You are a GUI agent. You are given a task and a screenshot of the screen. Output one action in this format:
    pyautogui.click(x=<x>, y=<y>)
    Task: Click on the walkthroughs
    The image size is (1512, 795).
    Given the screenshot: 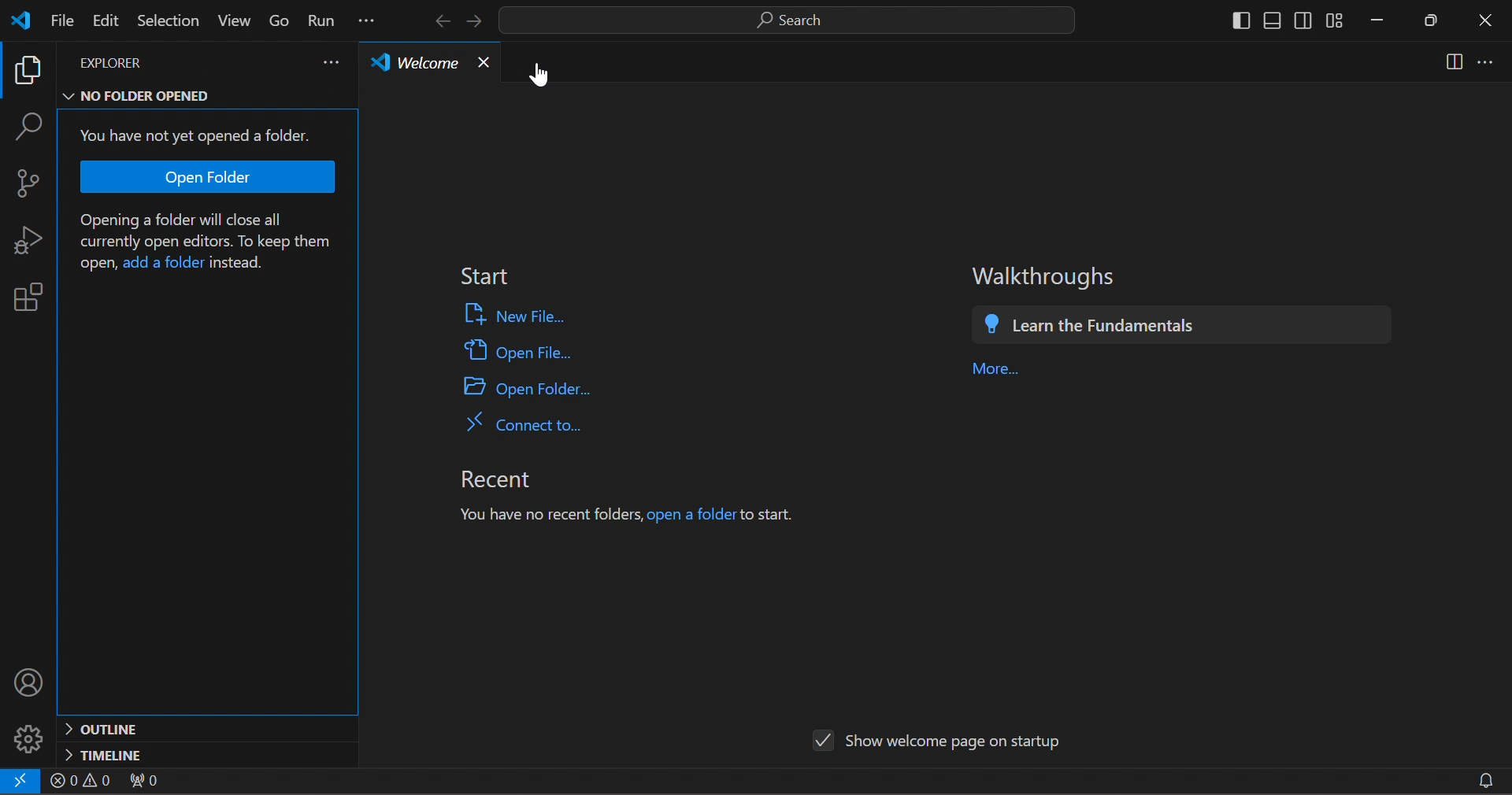 What is the action you would take?
    pyautogui.click(x=1047, y=275)
    